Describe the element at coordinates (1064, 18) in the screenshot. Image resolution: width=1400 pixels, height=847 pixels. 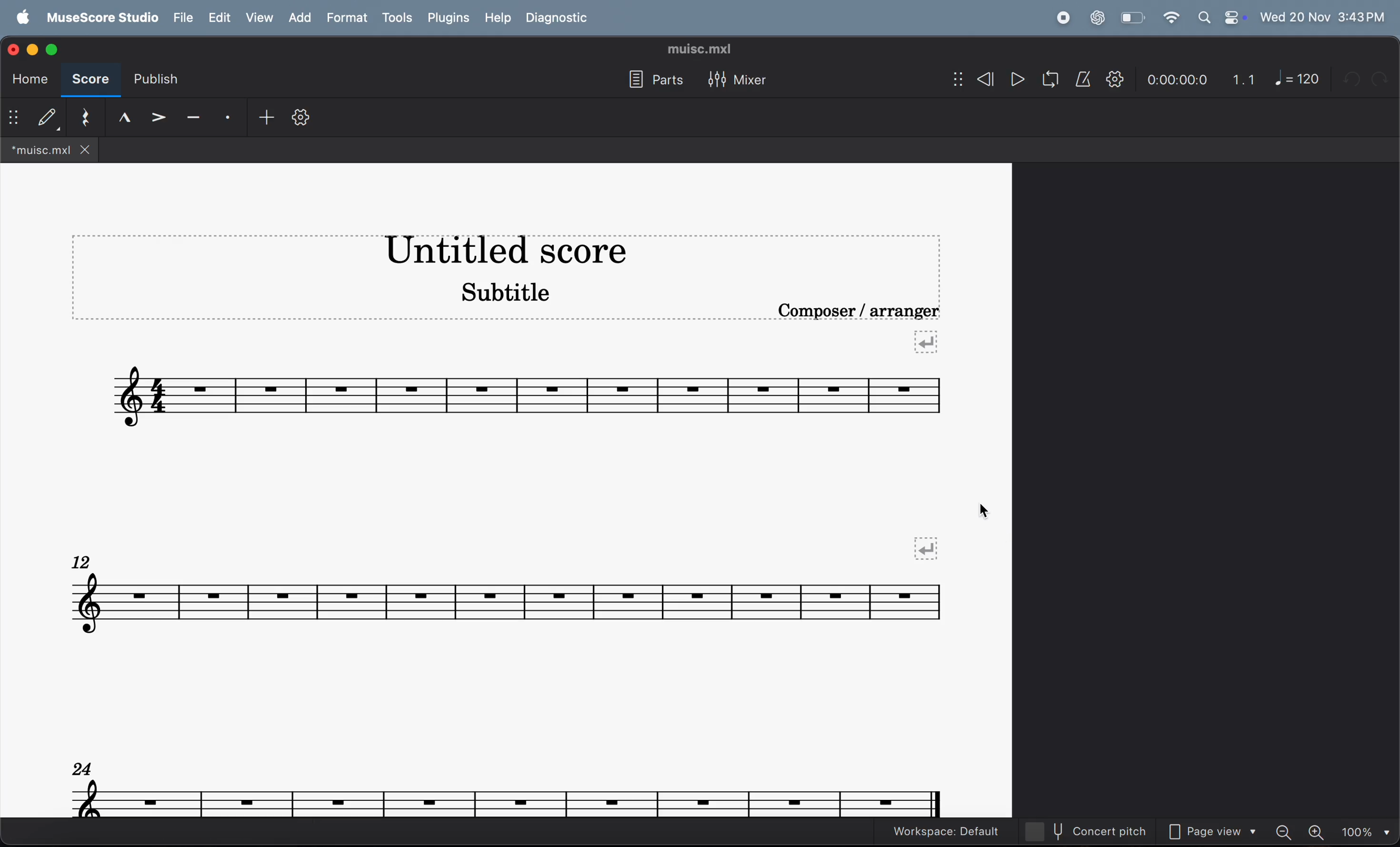
I see `record` at that location.